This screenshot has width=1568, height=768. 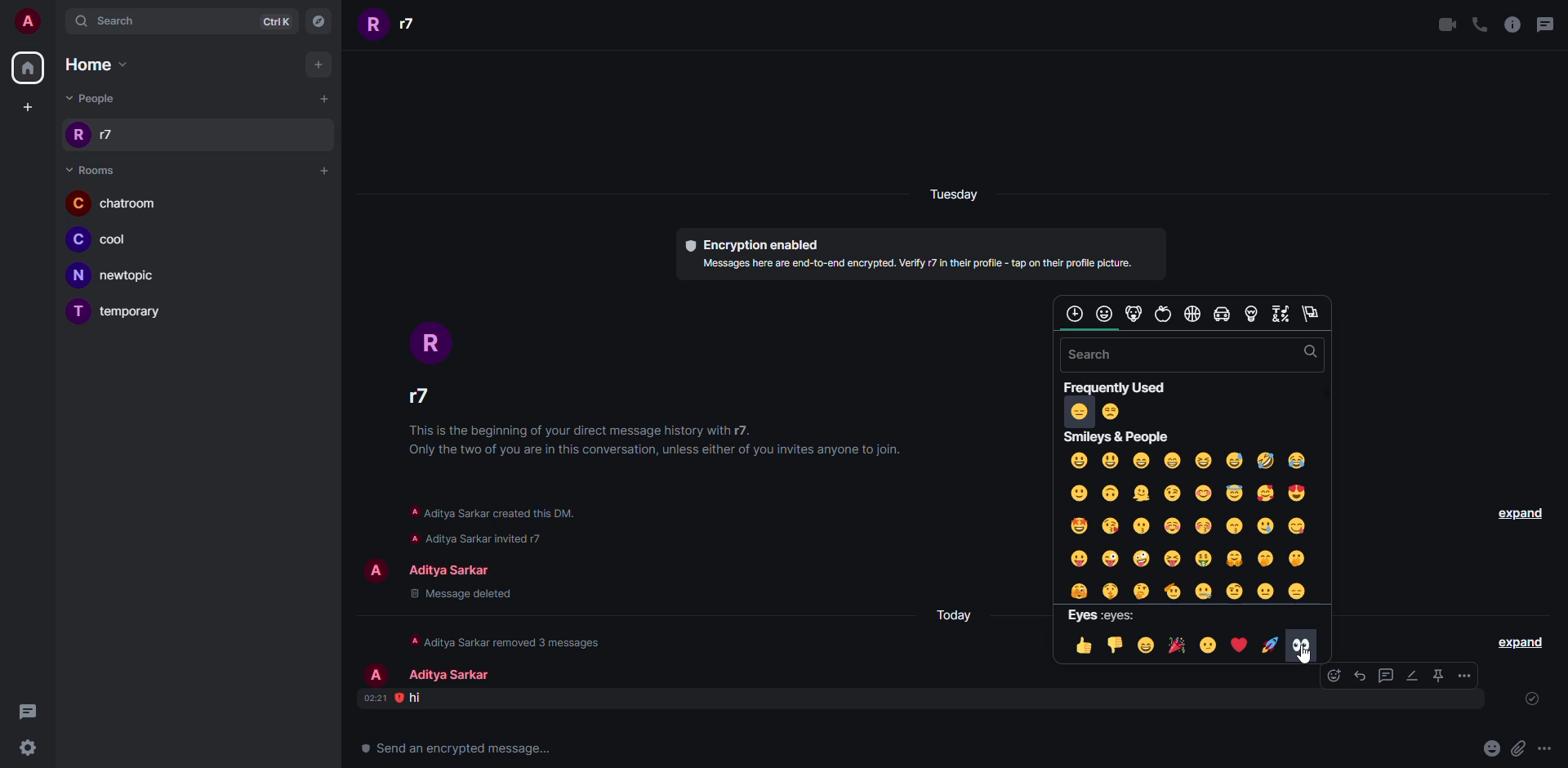 What do you see at coordinates (1535, 700) in the screenshot?
I see `sent` at bounding box center [1535, 700].